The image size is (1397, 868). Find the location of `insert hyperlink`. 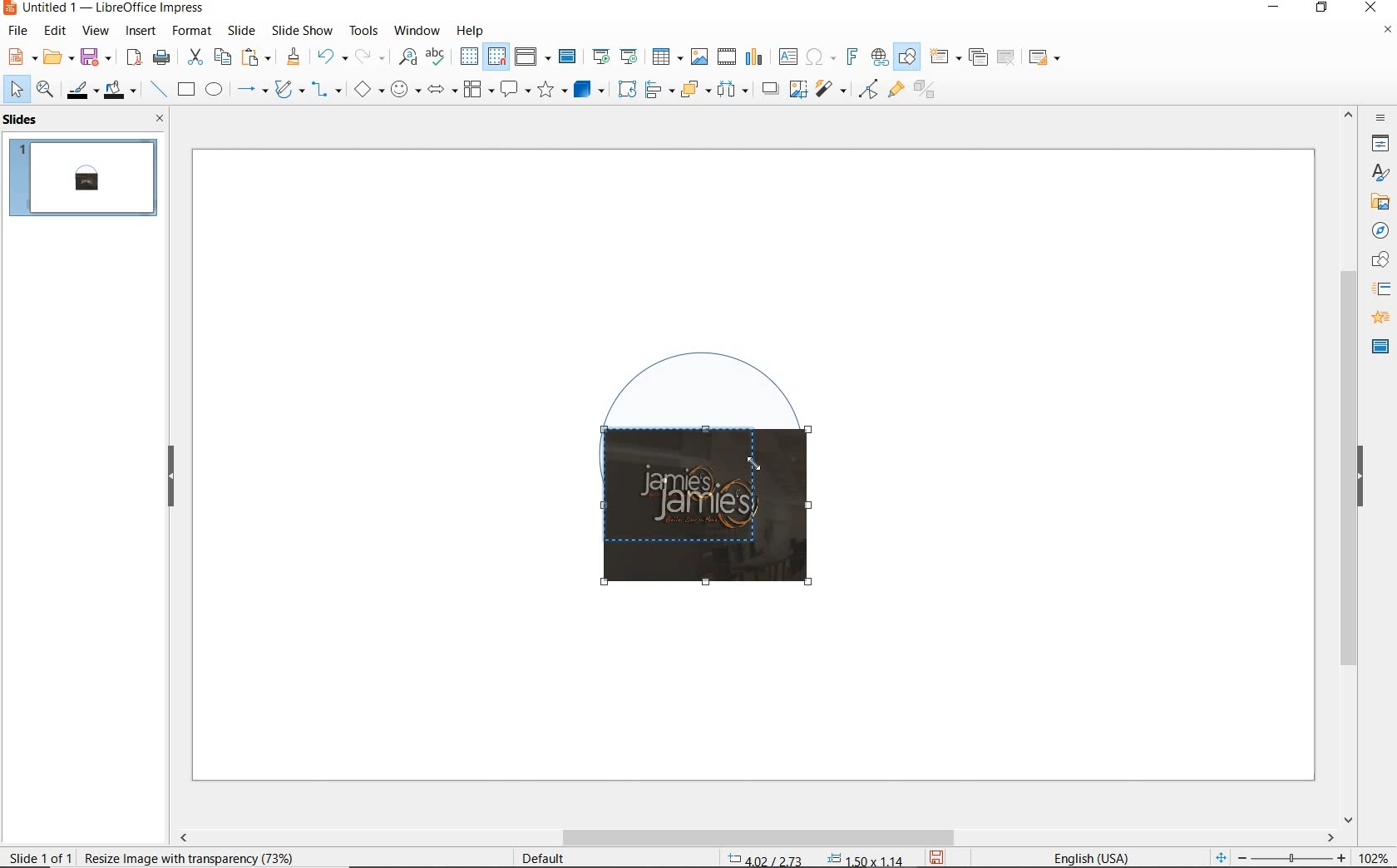

insert hyperlink is located at coordinates (880, 57).